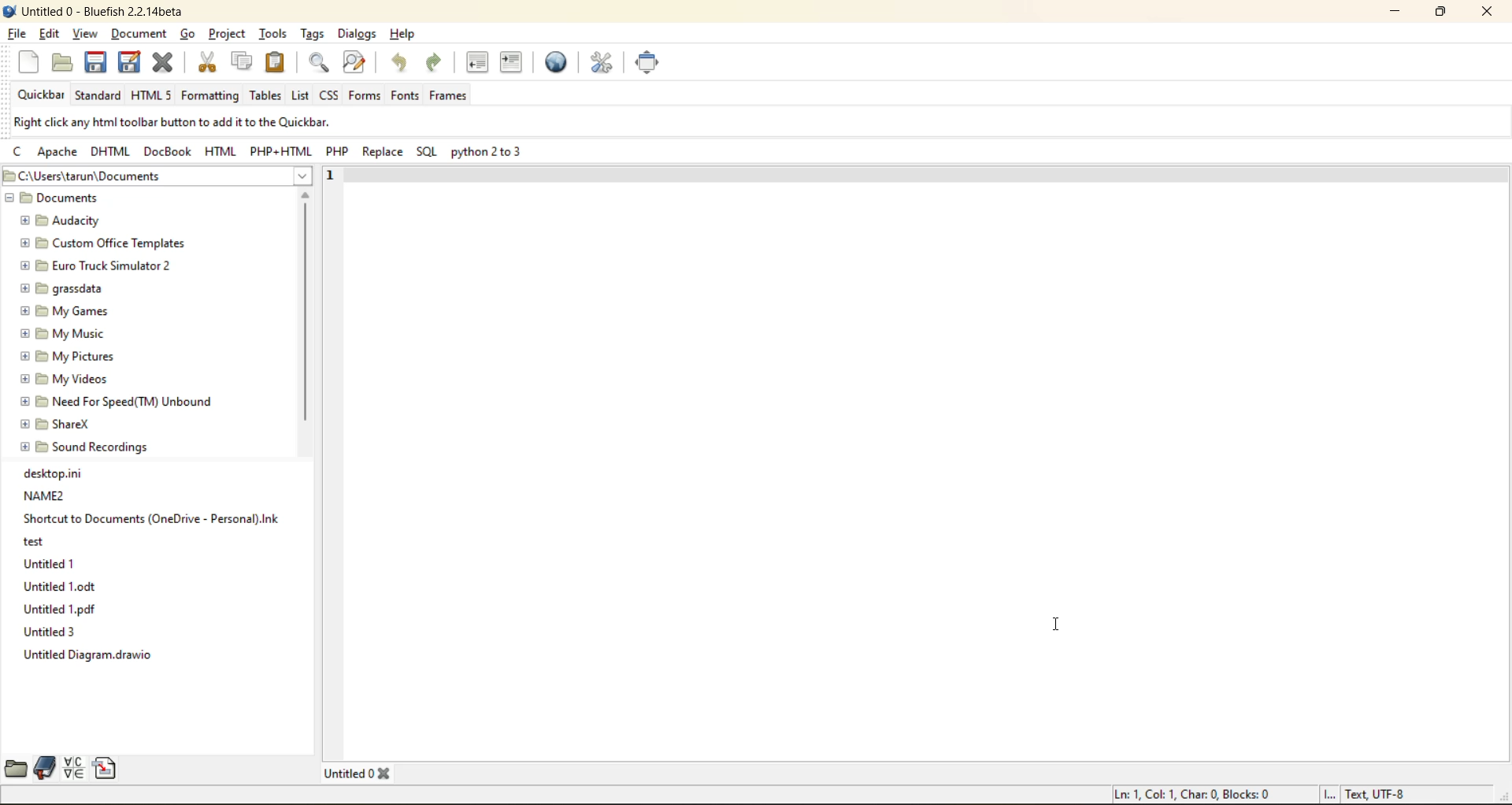 This screenshot has width=1512, height=805. What do you see at coordinates (128, 61) in the screenshot?
I see `save all` at bounding box center [128, 61].